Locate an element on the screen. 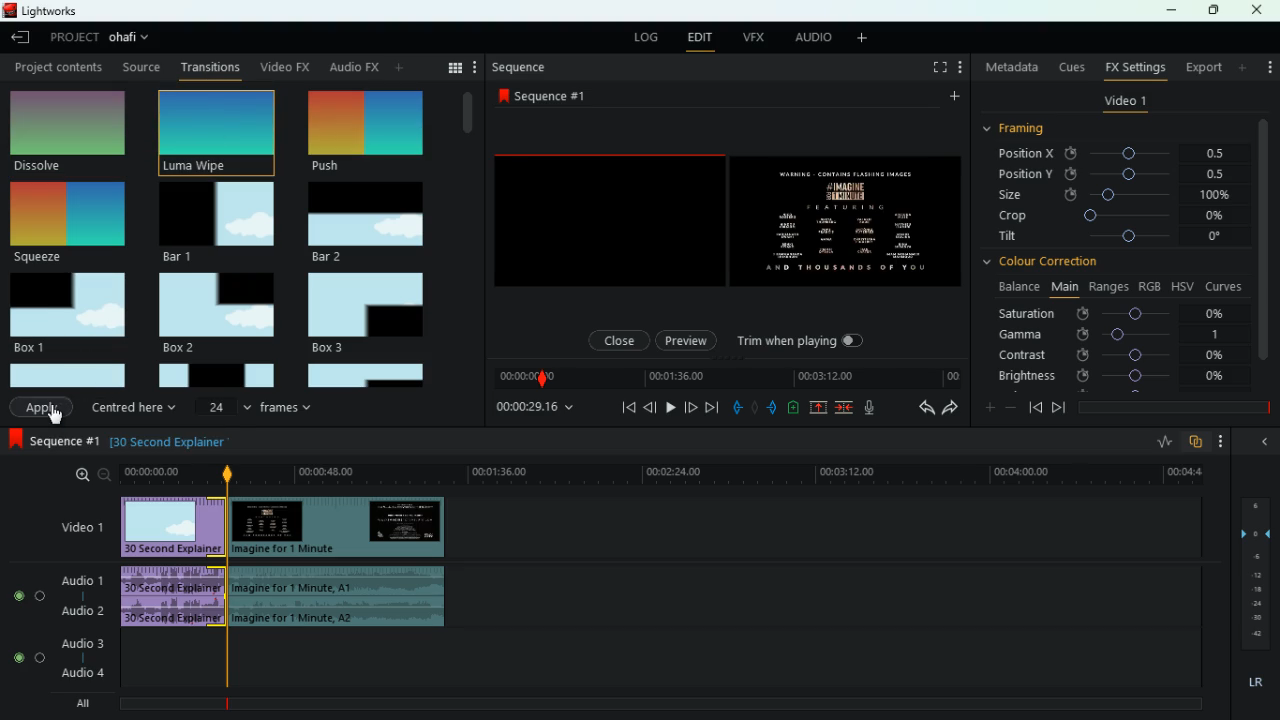 The height and width of the screenshot is (720, 1280). search is located at coordinates (432, 67).